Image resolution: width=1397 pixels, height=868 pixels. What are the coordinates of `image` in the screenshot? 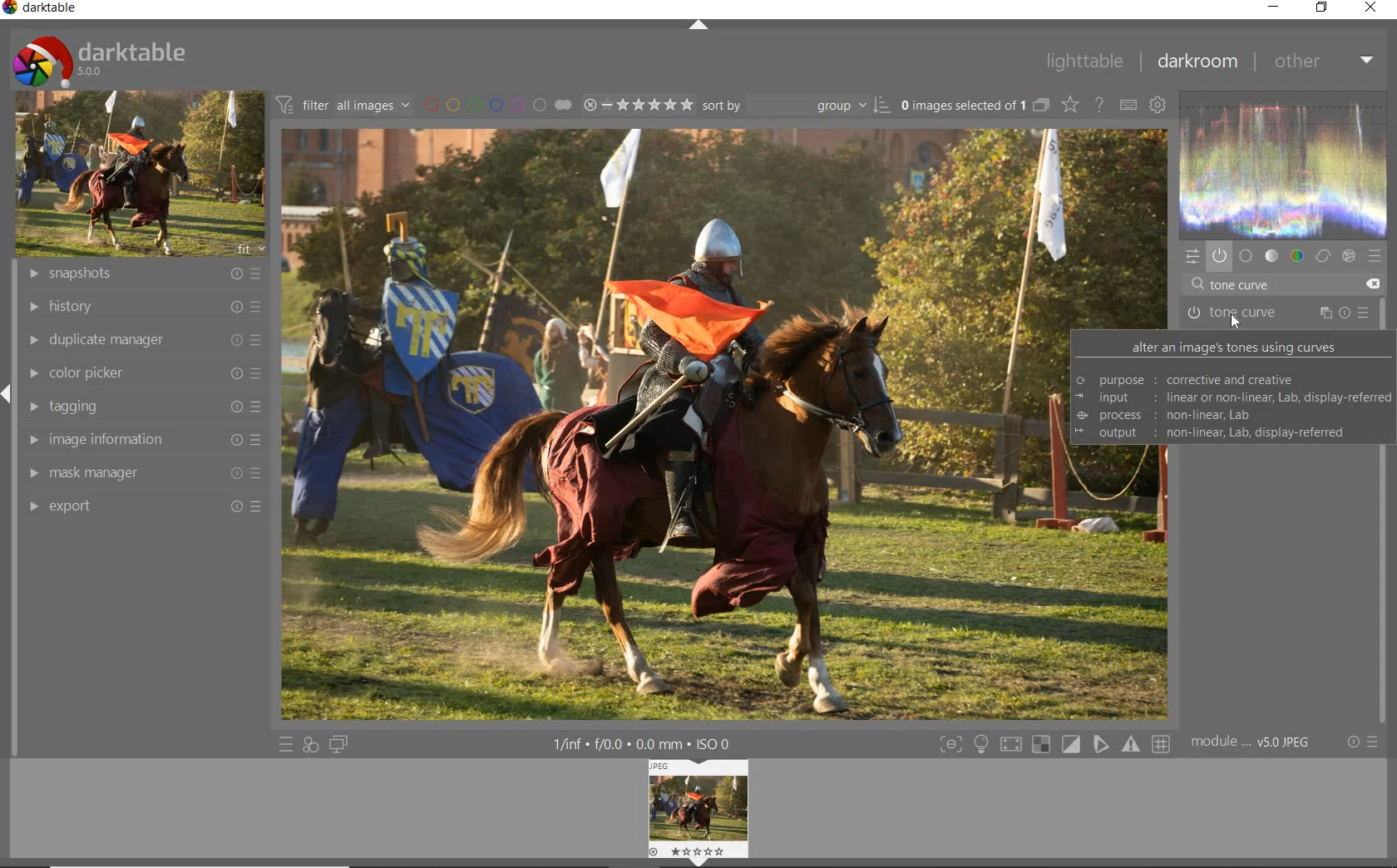 It's located at (136, 175).